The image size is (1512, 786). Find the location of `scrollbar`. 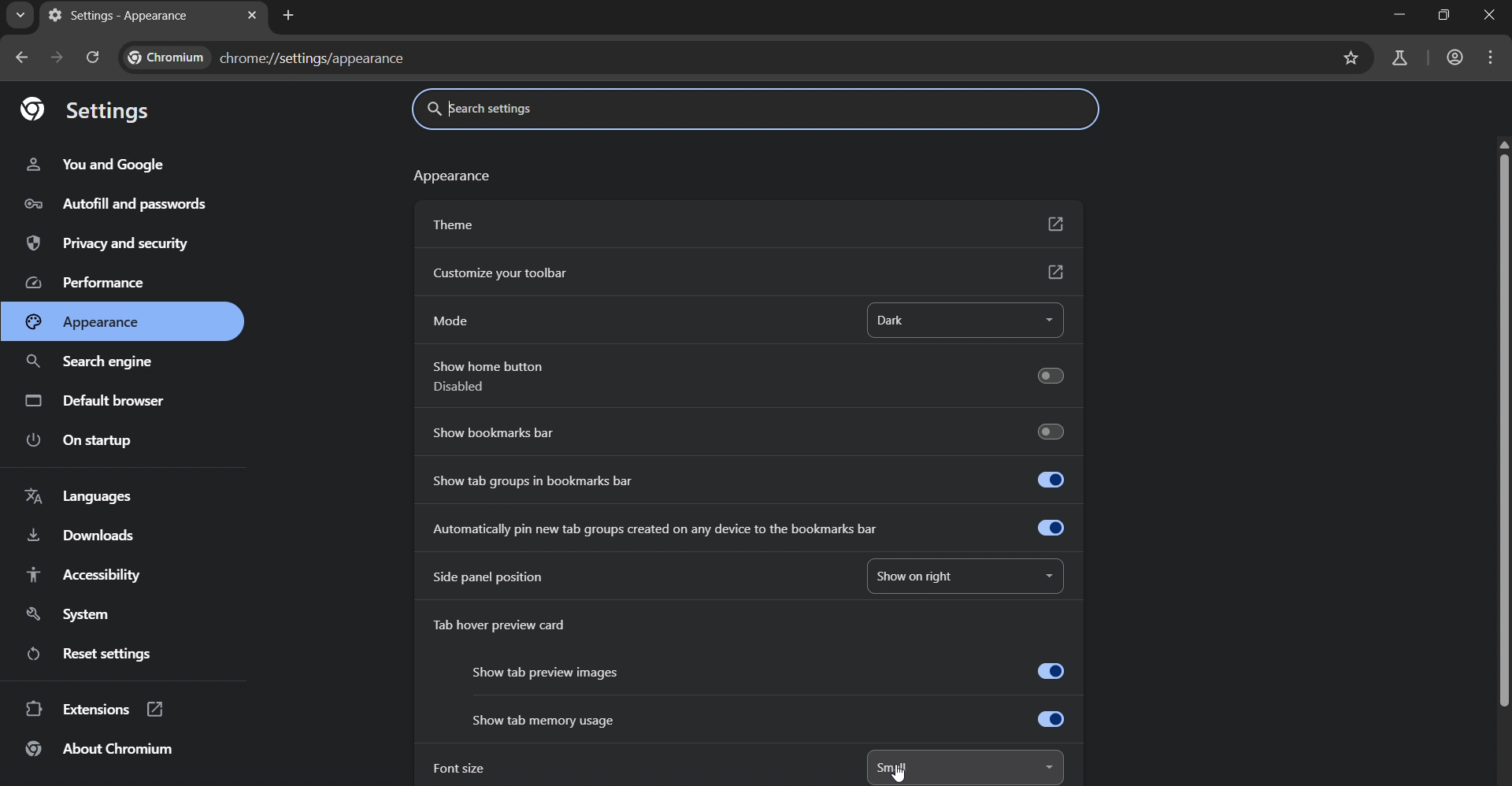

scrollbar is located at coordinates (1499, 427).